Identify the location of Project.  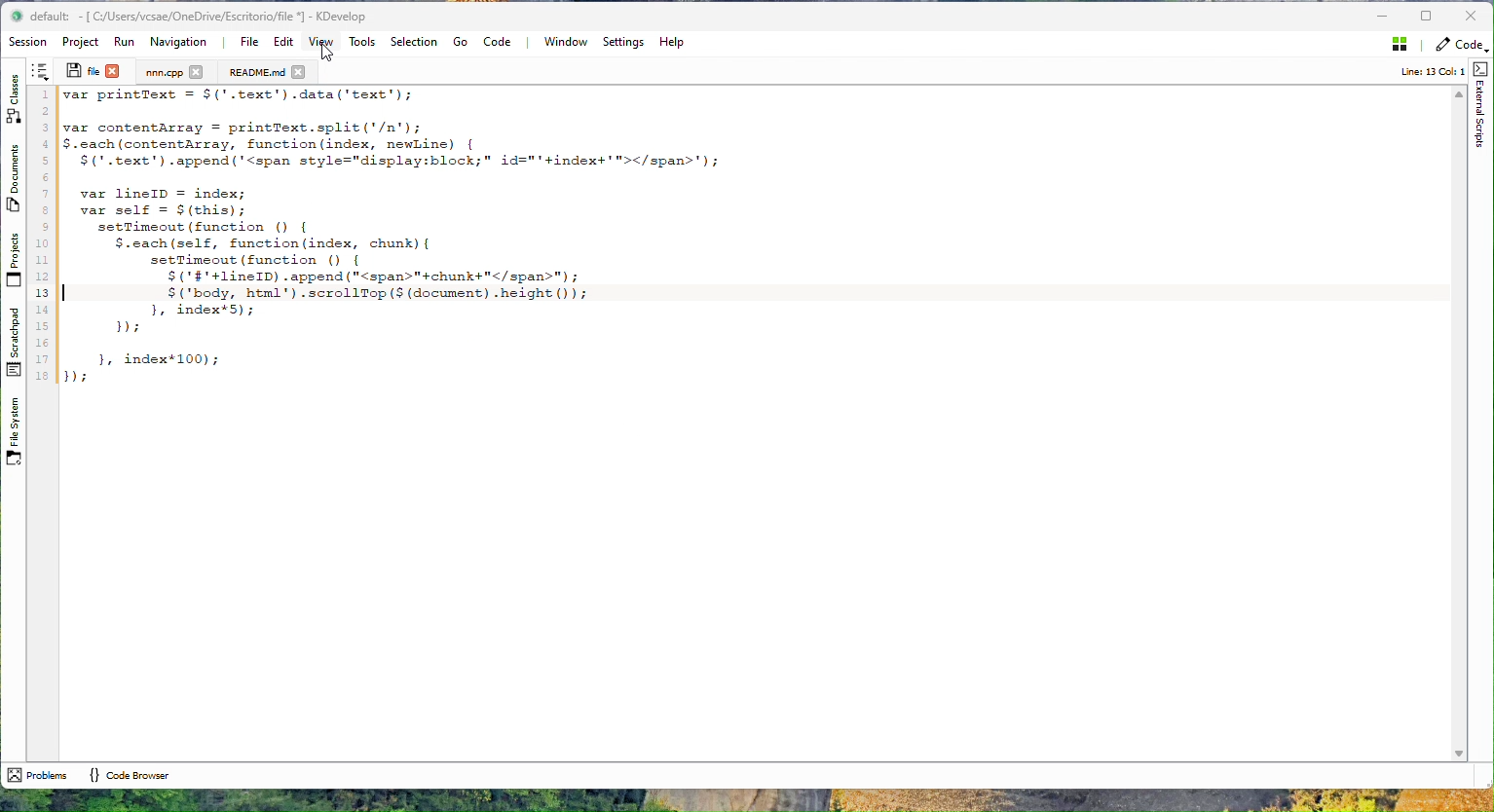
(165, 72).